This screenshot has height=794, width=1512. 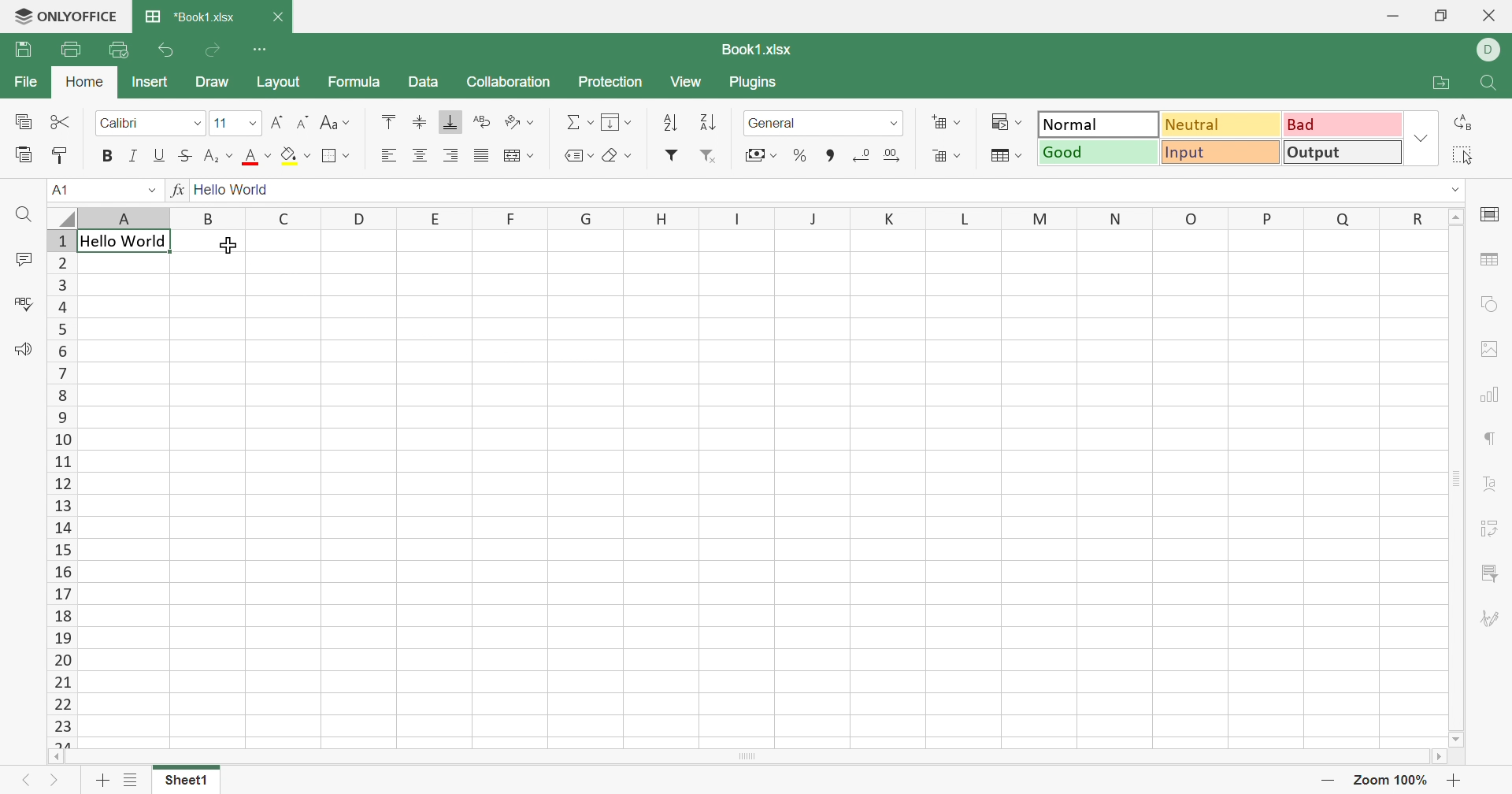 What do you see at coordinates (1327, 777) in the screenshot?
I see `Zoom out` at bounding box center [1327, 777].